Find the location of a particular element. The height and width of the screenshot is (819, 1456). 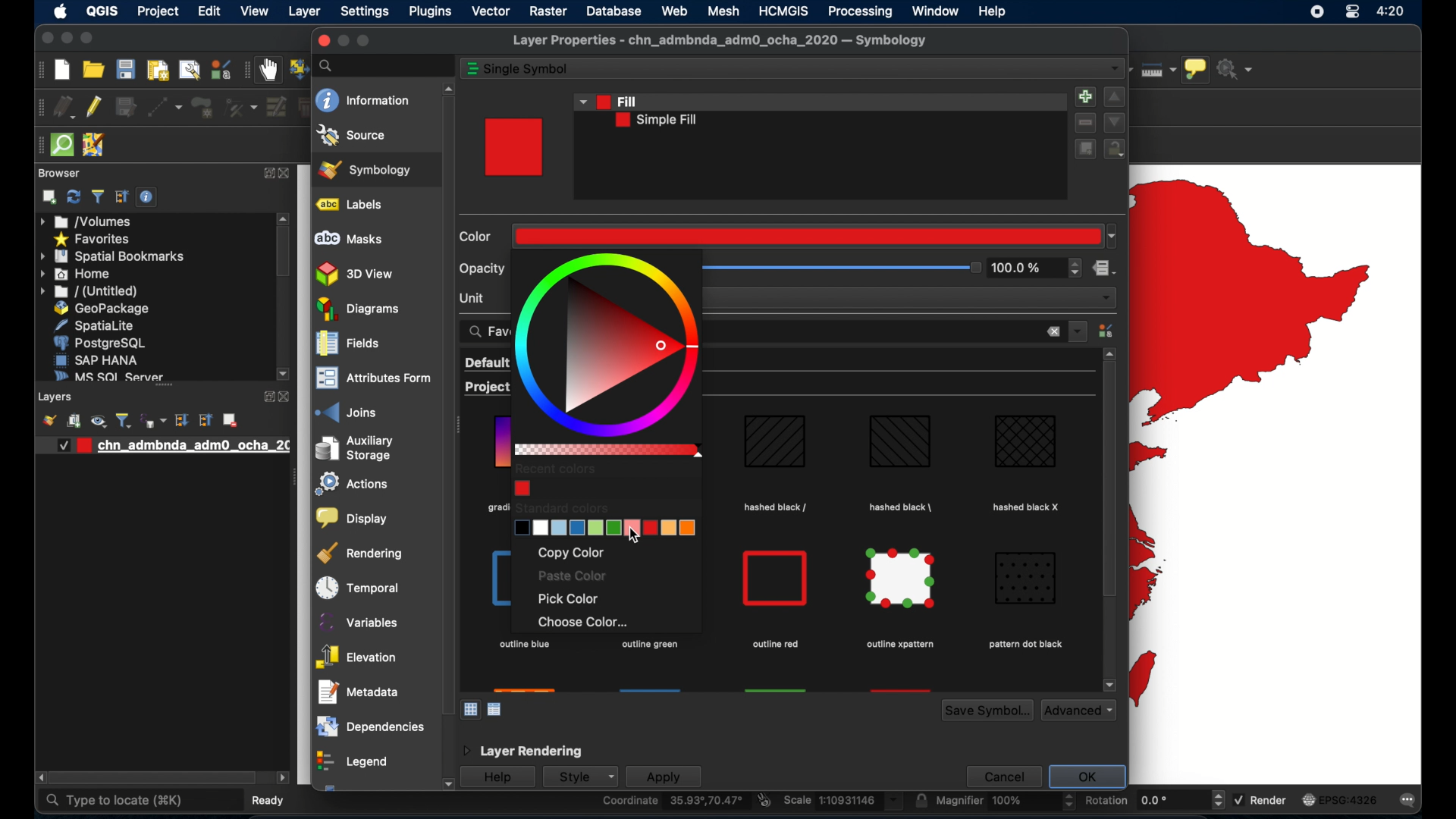

filter legend by expression is located at coordinates (155, 420).